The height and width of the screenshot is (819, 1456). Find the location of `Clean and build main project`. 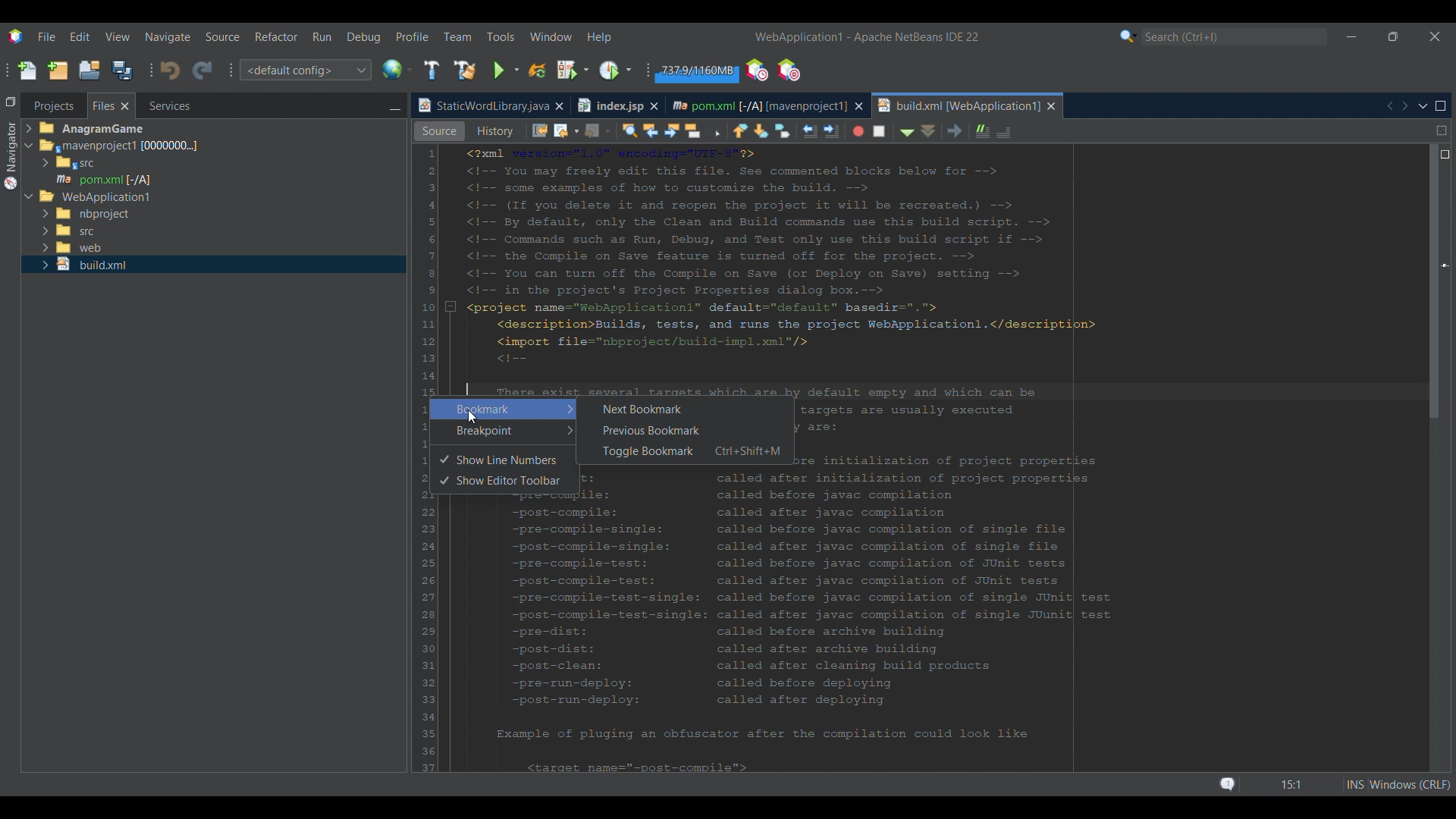

Clean and build main project is located at coordinates (465, 71).